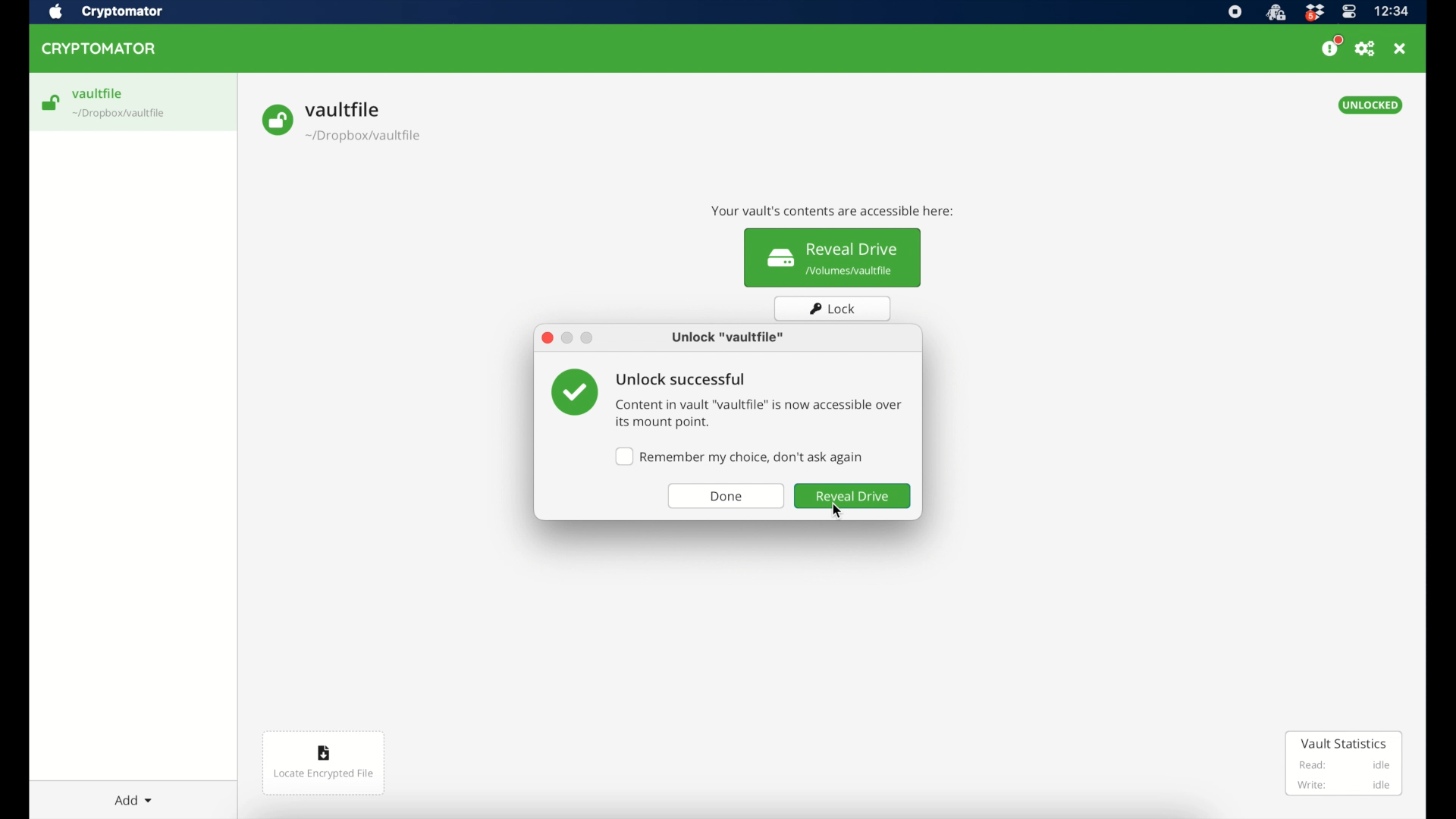 Image resolution: width=1456 pixels, height=819 pixels. I want to click on donate us, so click(1332, 46).